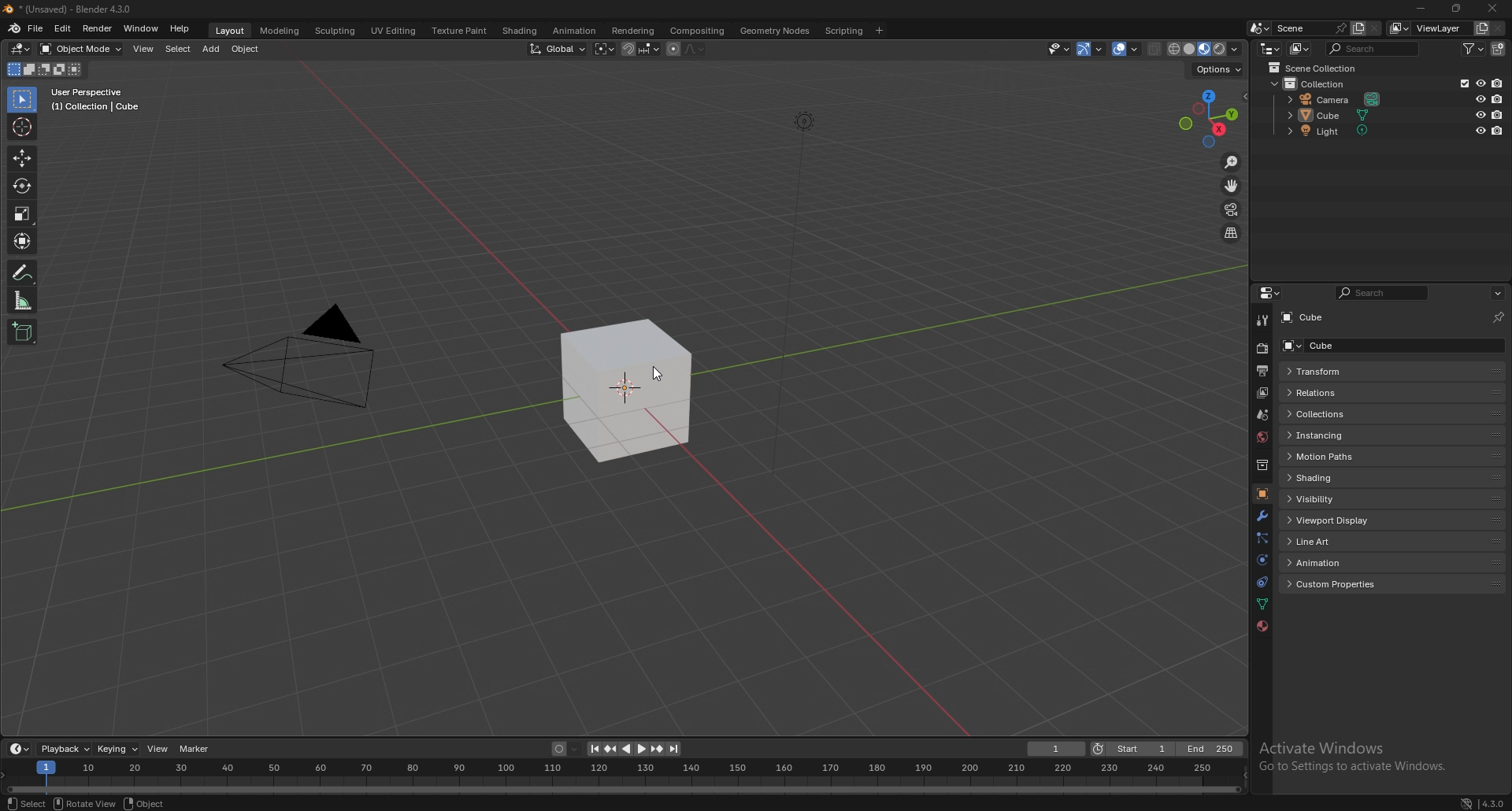  What do you see at coordinates (1058, 49) in the screenshot?
I see `visiblity and selectibility` at bounding box center [1058, 49].